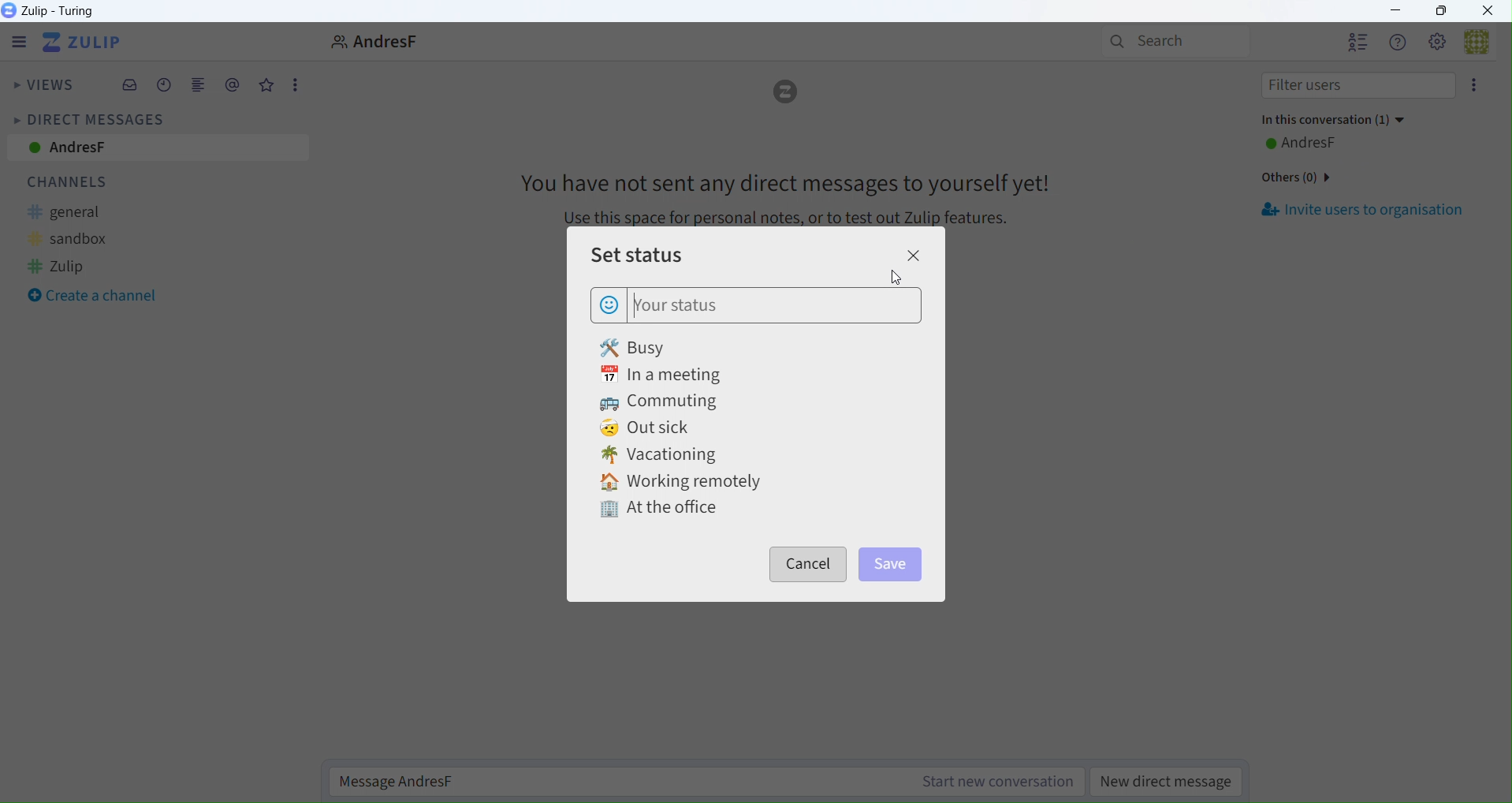  What do you see at coordinates (295, 84) in the screenshot?
I see `More` at bounding box center [295, 84].